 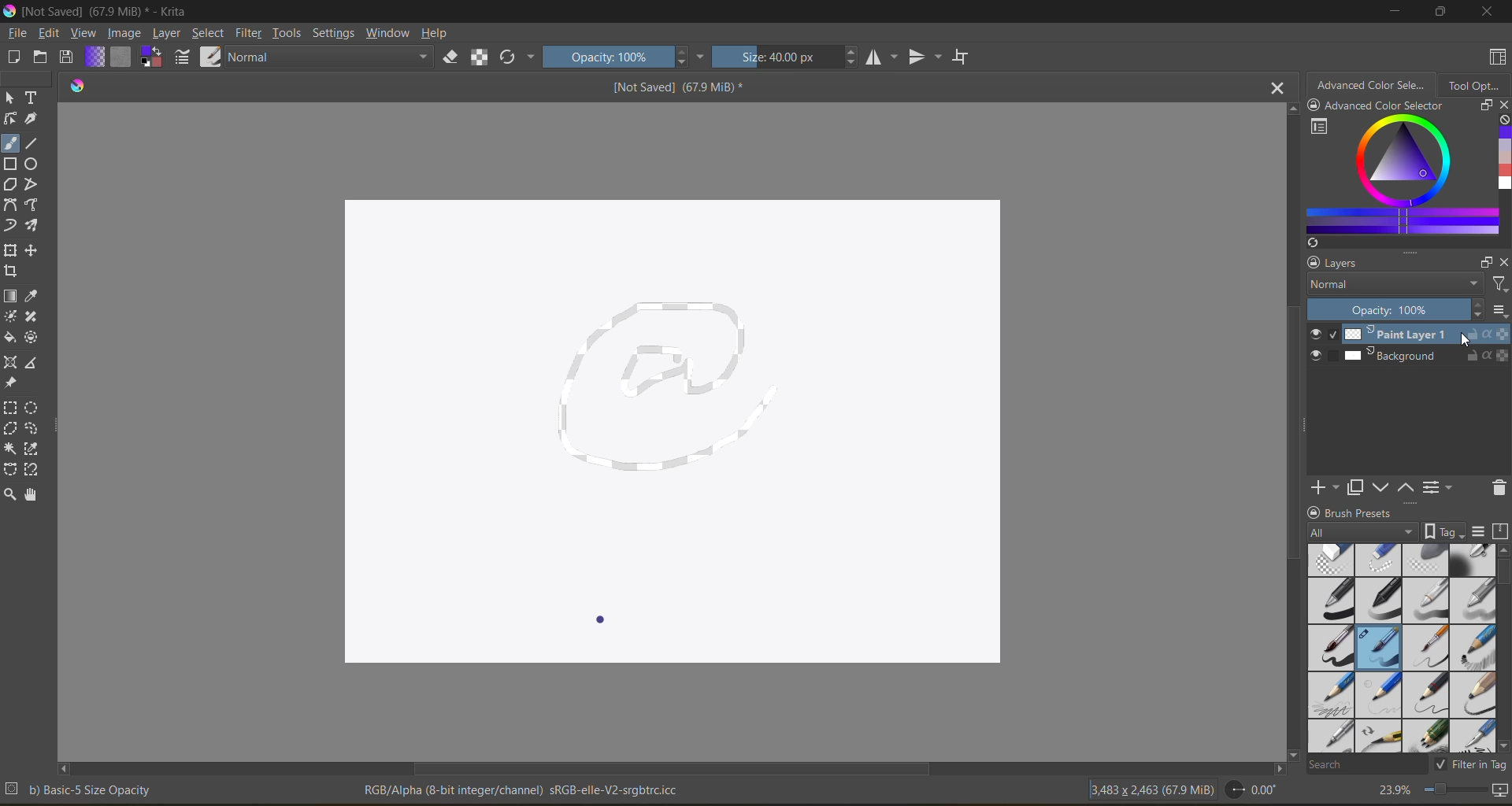 What do you see at coordinates (1292, 756) in the screenshot?
I see `scroll down` at bounding box center [1292, 756].